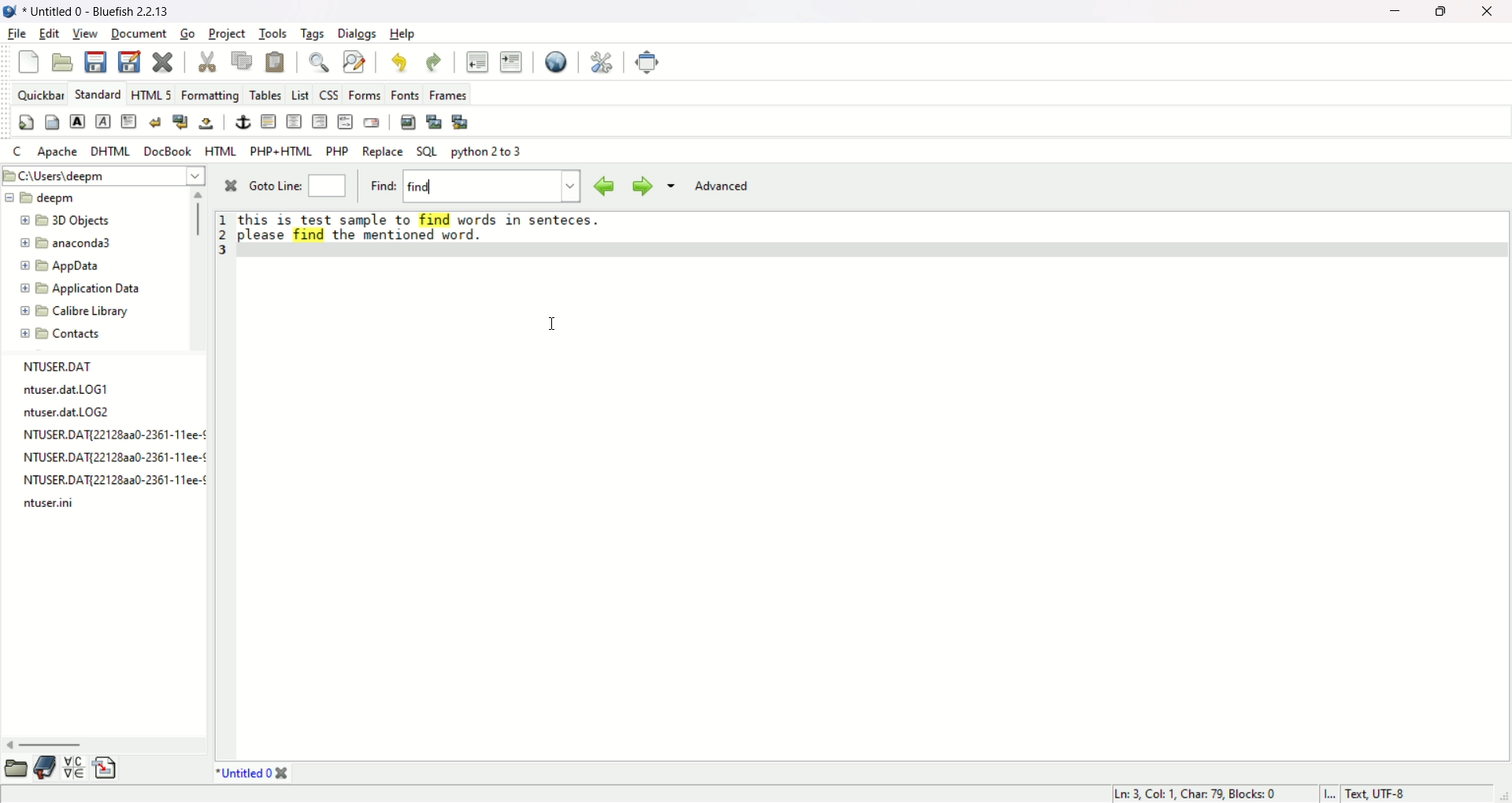  Describe the element at coordinates (170, 151) in the screenshot. I see `Docbook` at that location.